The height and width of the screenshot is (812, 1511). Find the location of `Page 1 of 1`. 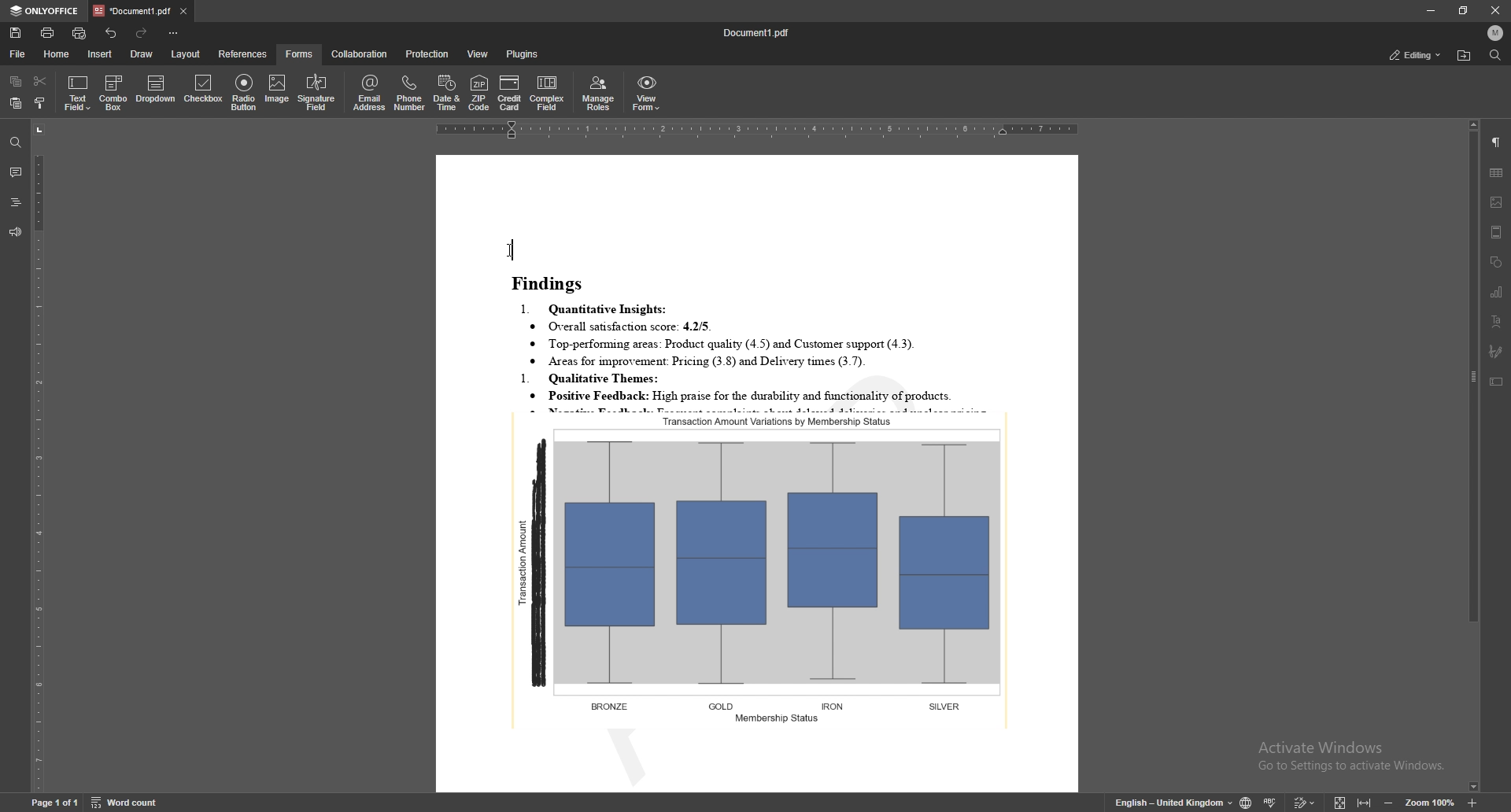

Page 1 of 1 is located at coordinates (41, 804).